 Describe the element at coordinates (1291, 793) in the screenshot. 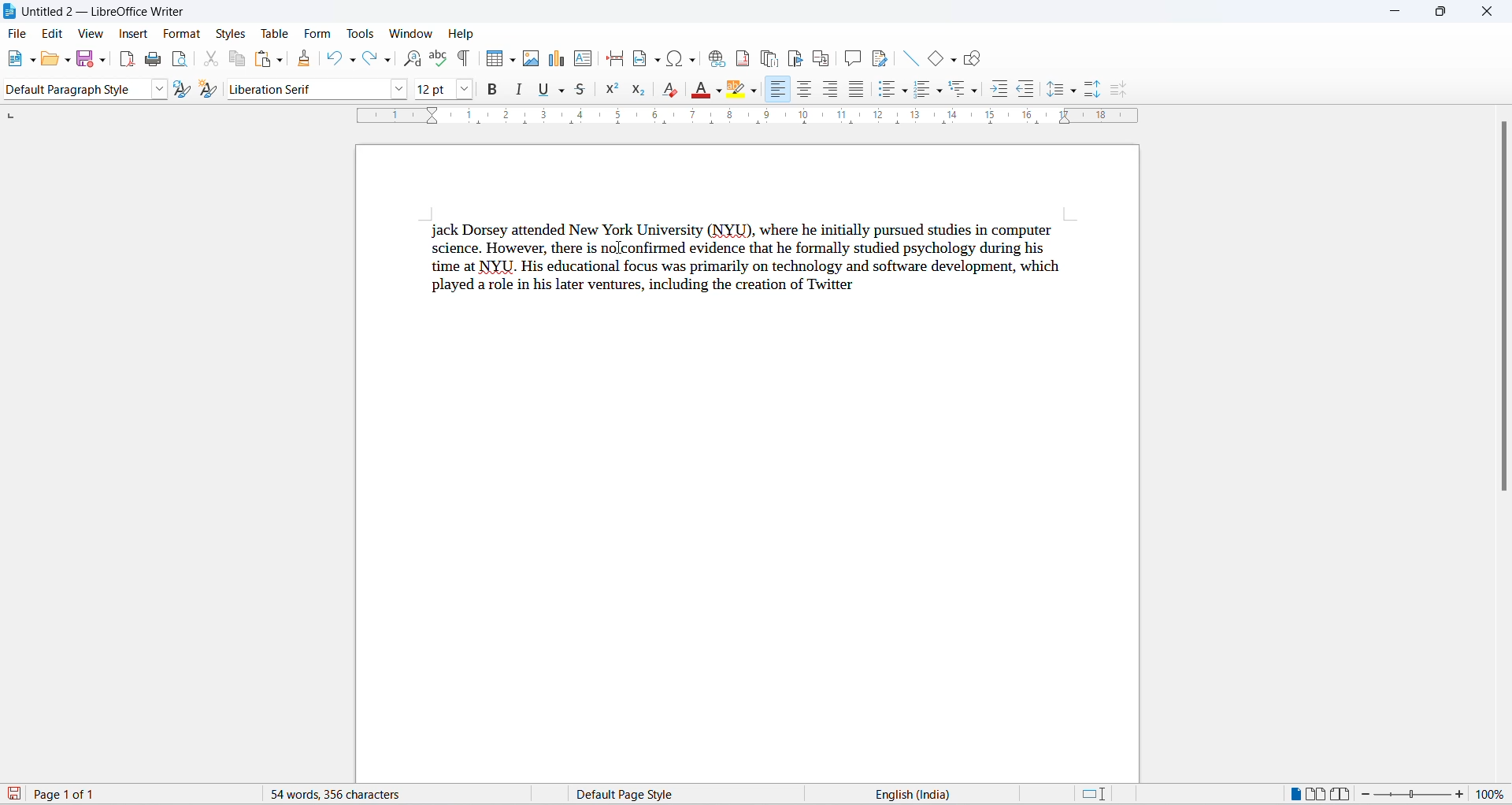

I see `single page view` at that location.